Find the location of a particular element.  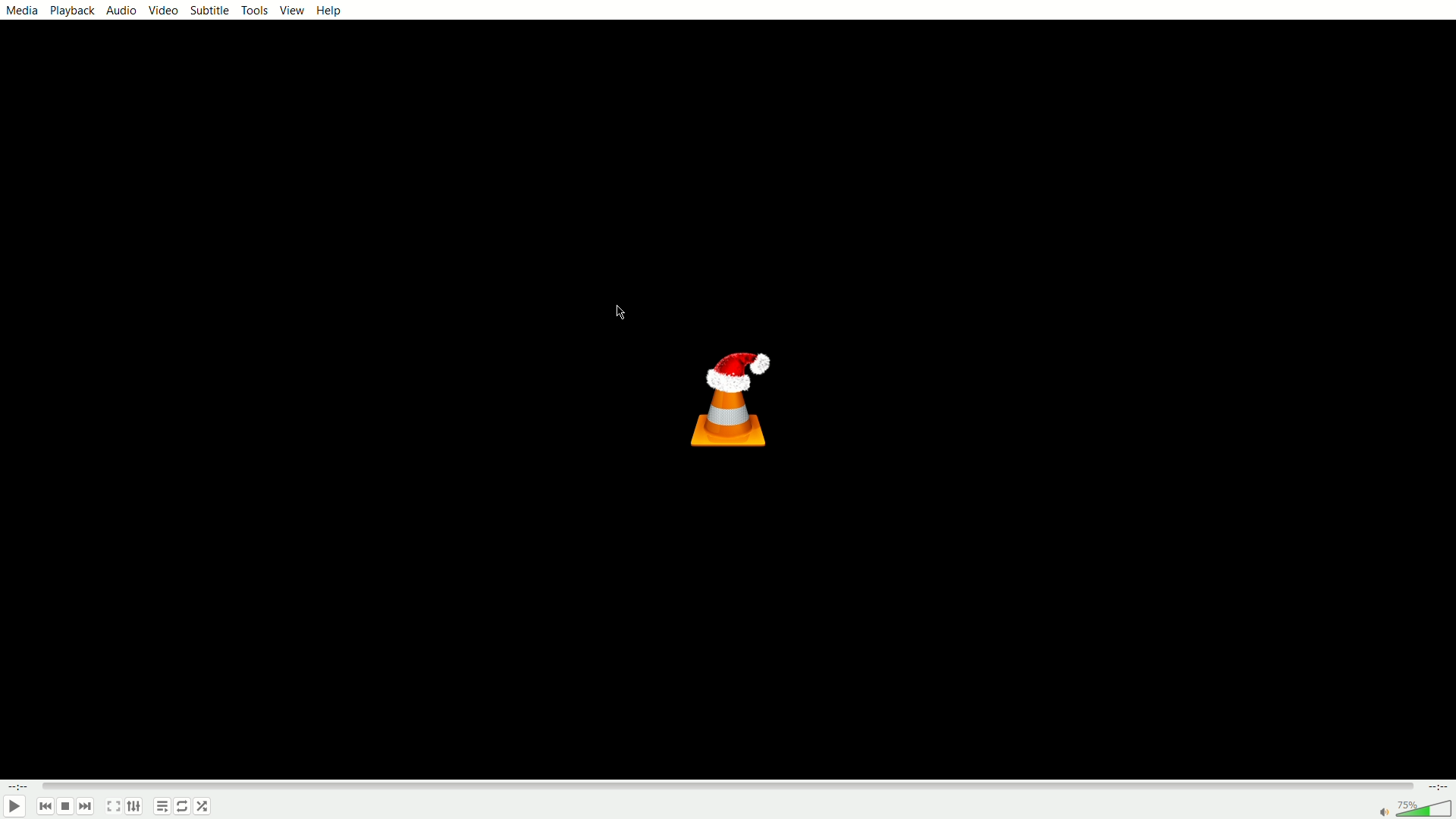

progress bar is located at coordinates (730, 787).